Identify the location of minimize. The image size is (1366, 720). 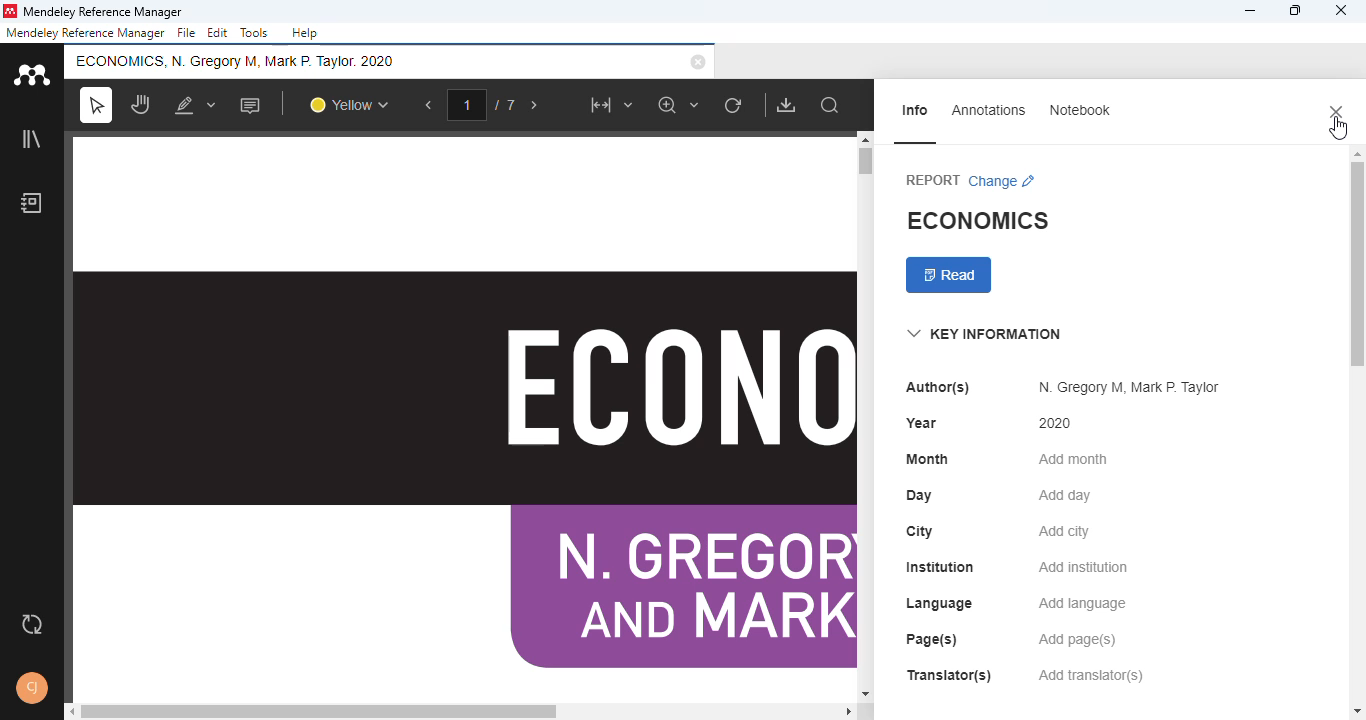
(1251, 11).